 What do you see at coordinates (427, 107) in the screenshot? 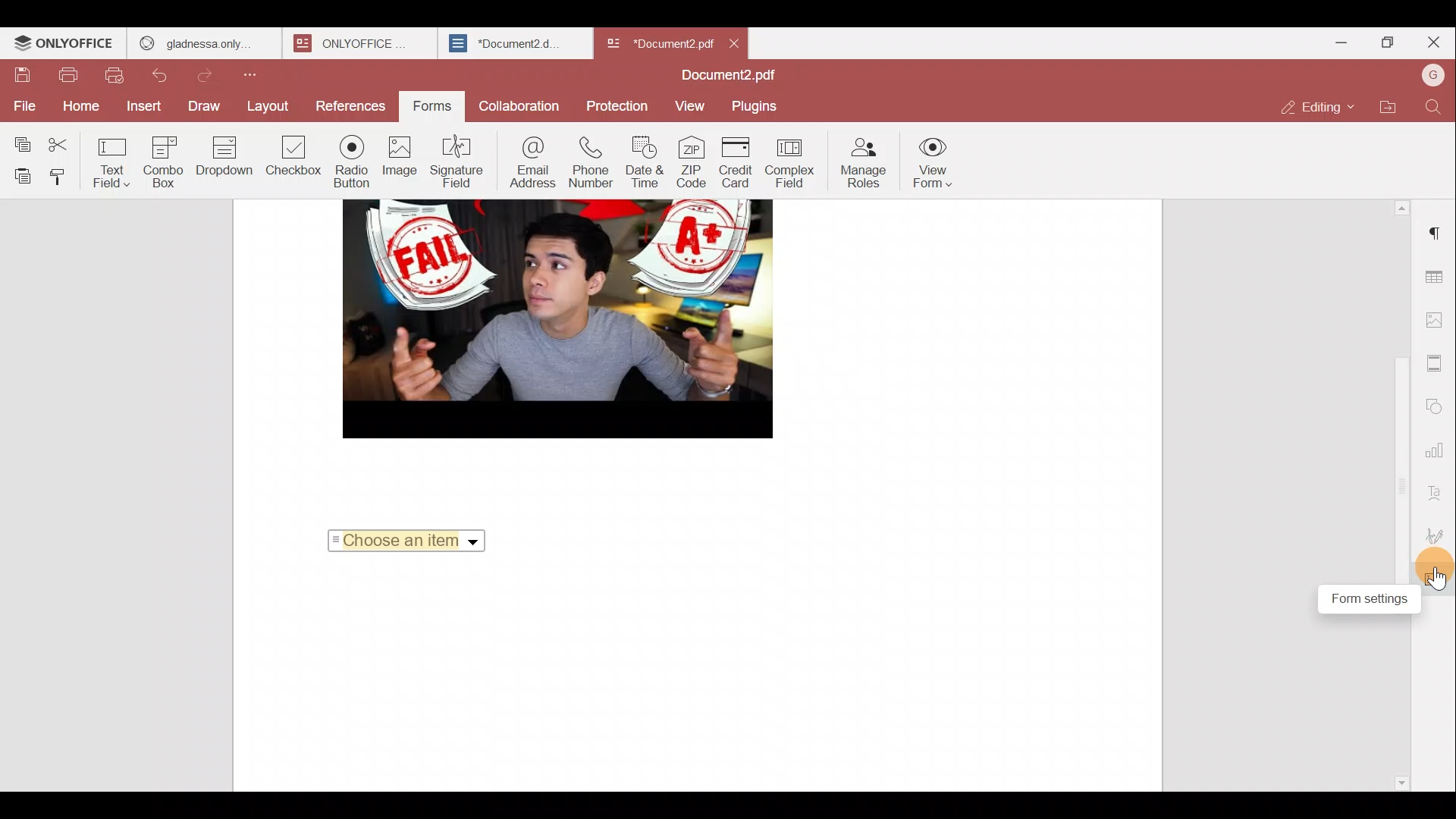
I see `Forms` at bounding box center [427, 107].